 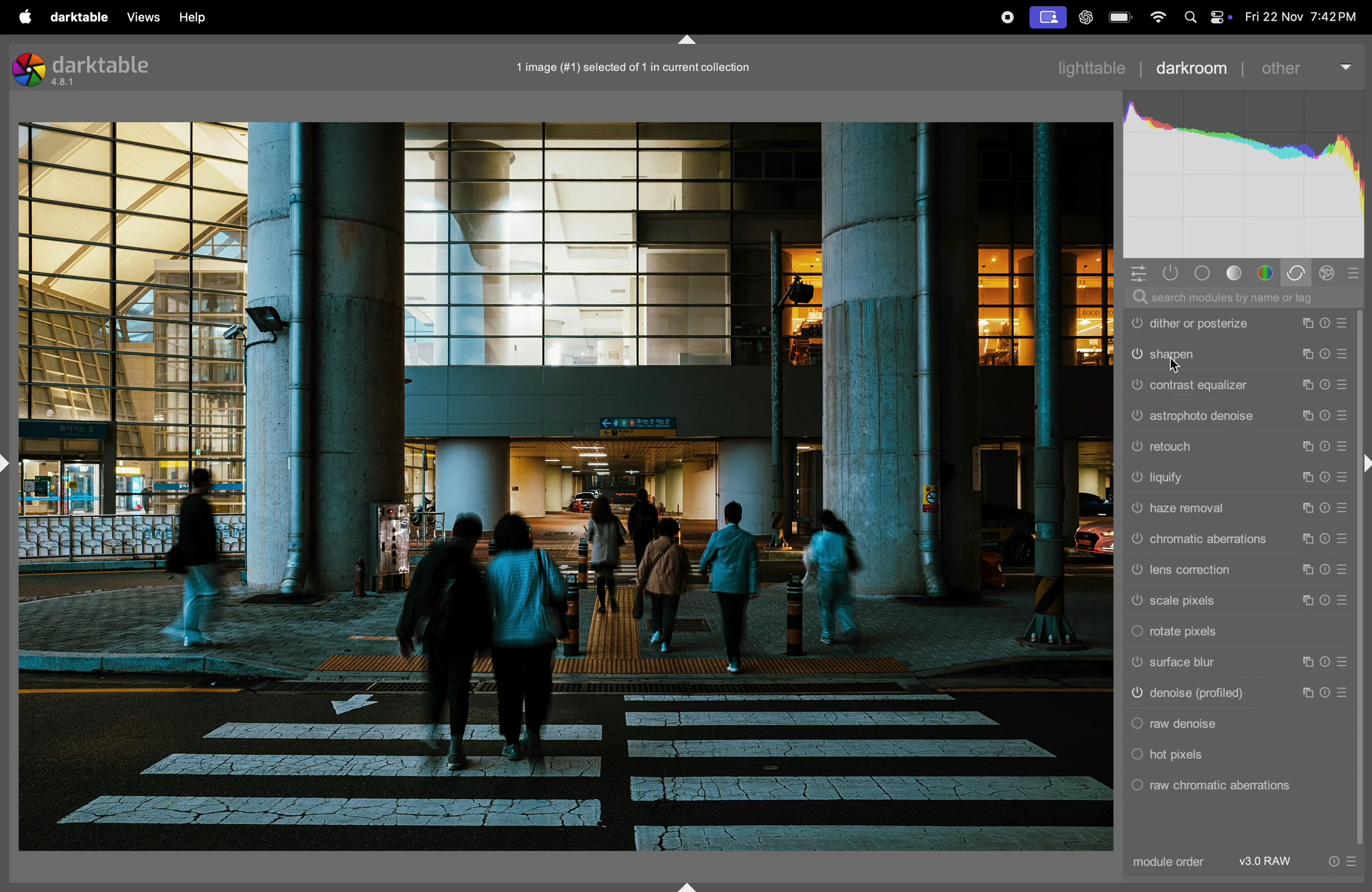 What do you see at coordinates (1363, 465) in the screenshot?
I see `shift+ctrl+r` at bounding box center [1363, 465].